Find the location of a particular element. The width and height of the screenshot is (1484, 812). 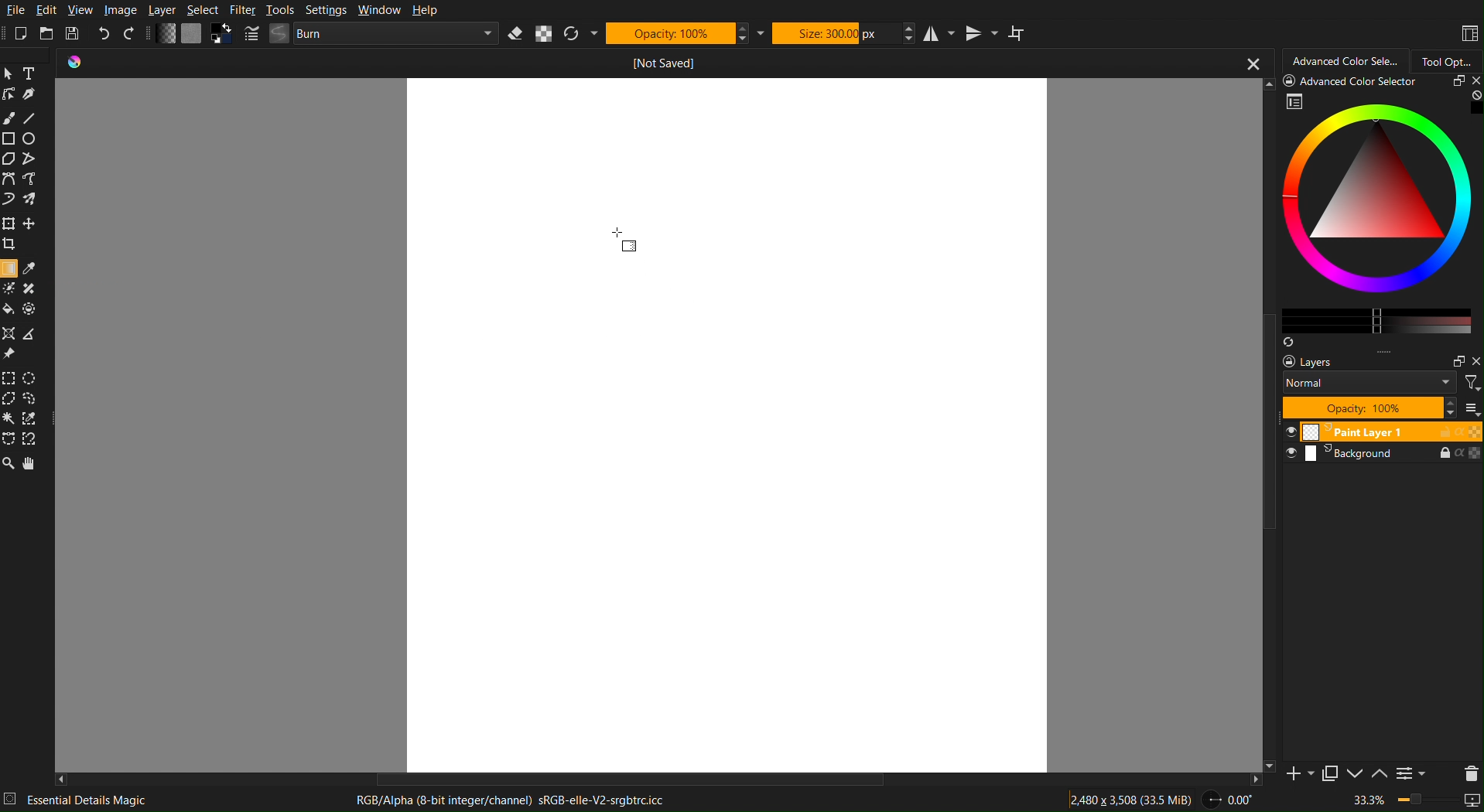

Ruler Tools is located at coordinates (22, 342).